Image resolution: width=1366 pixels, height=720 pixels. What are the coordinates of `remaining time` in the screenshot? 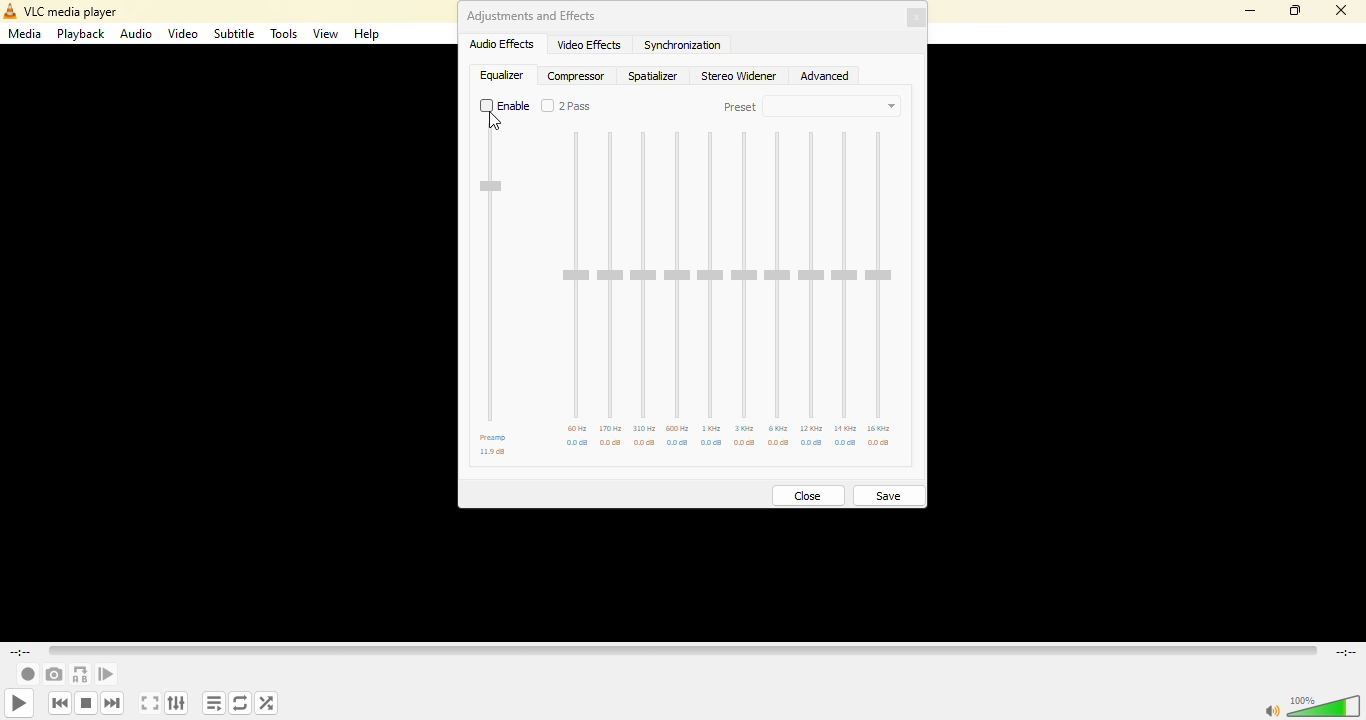 It's located at (1346, 653).